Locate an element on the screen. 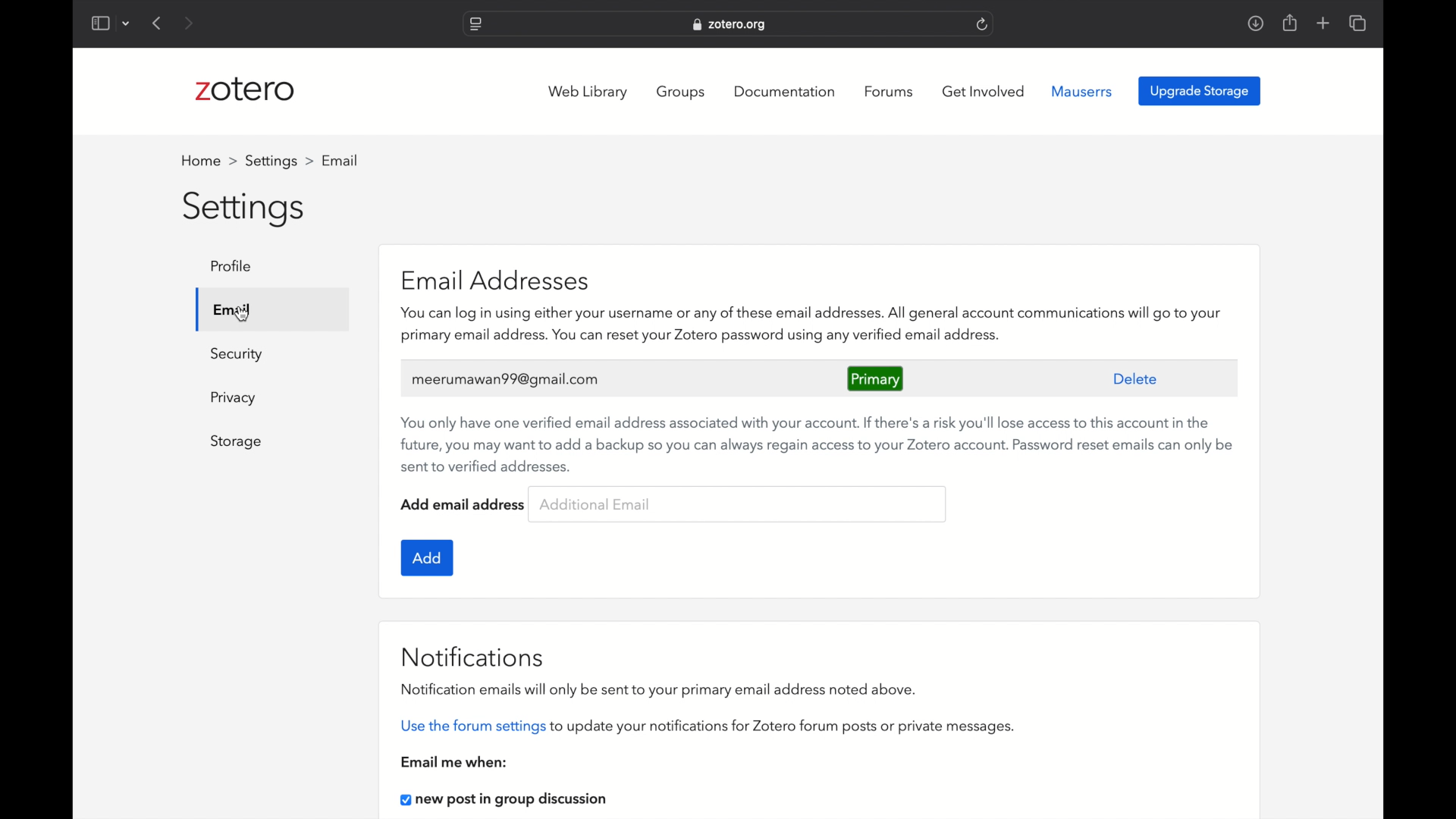  next is located at coordinates (191, 24).